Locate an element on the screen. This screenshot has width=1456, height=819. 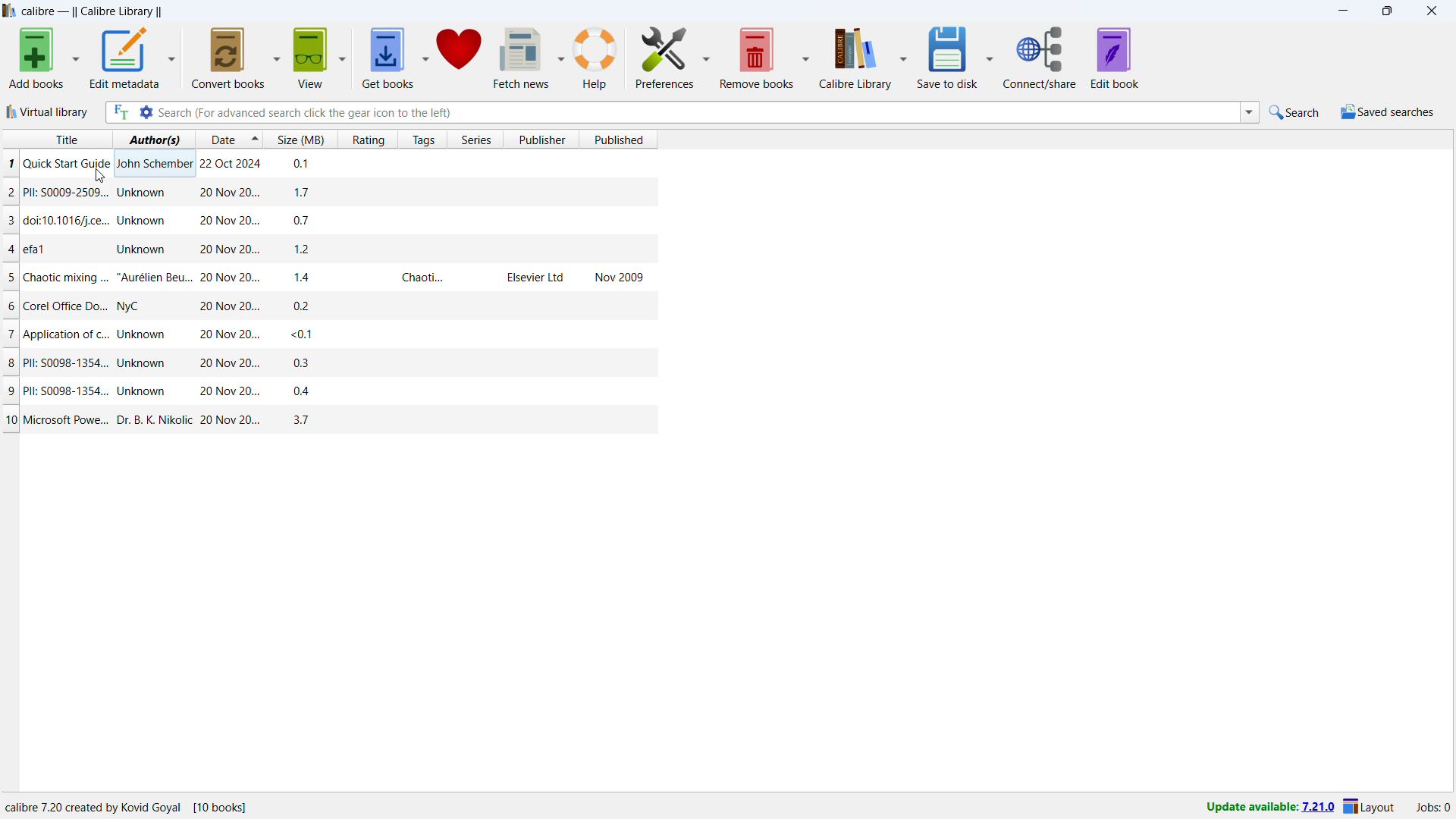
sort by authors is located at coordinates (154, 139).